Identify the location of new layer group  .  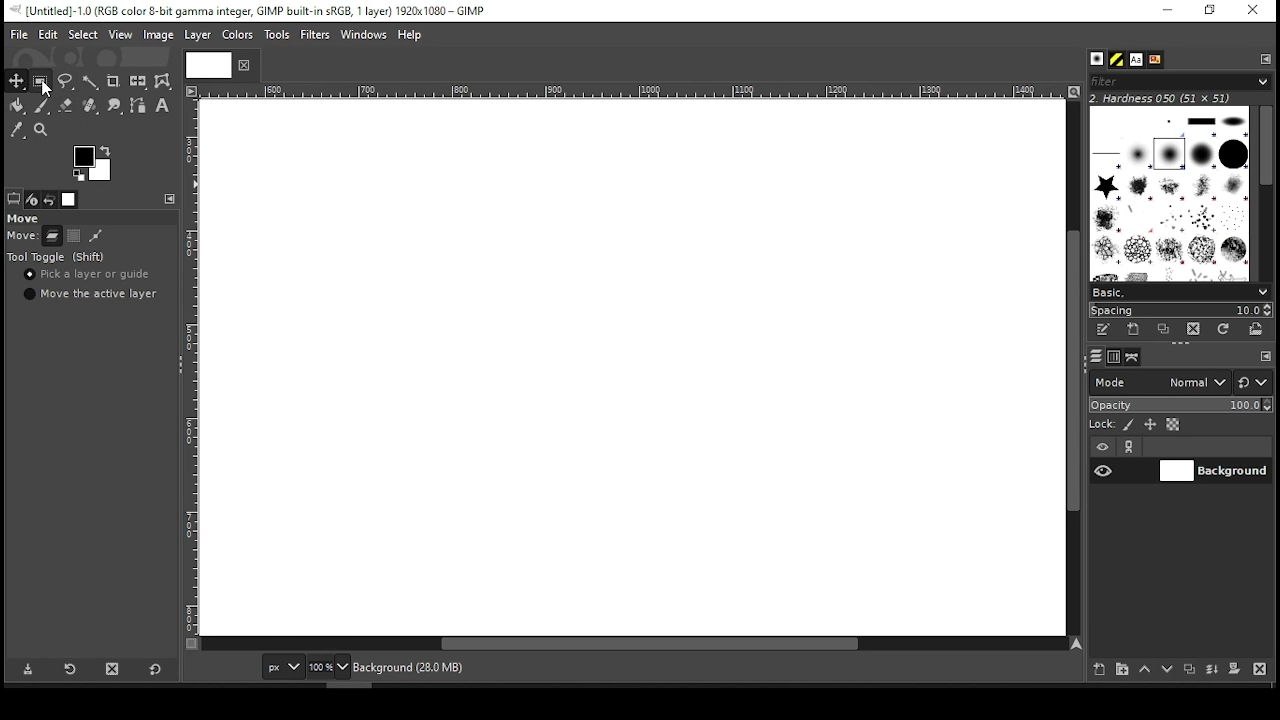
(1121, 669).